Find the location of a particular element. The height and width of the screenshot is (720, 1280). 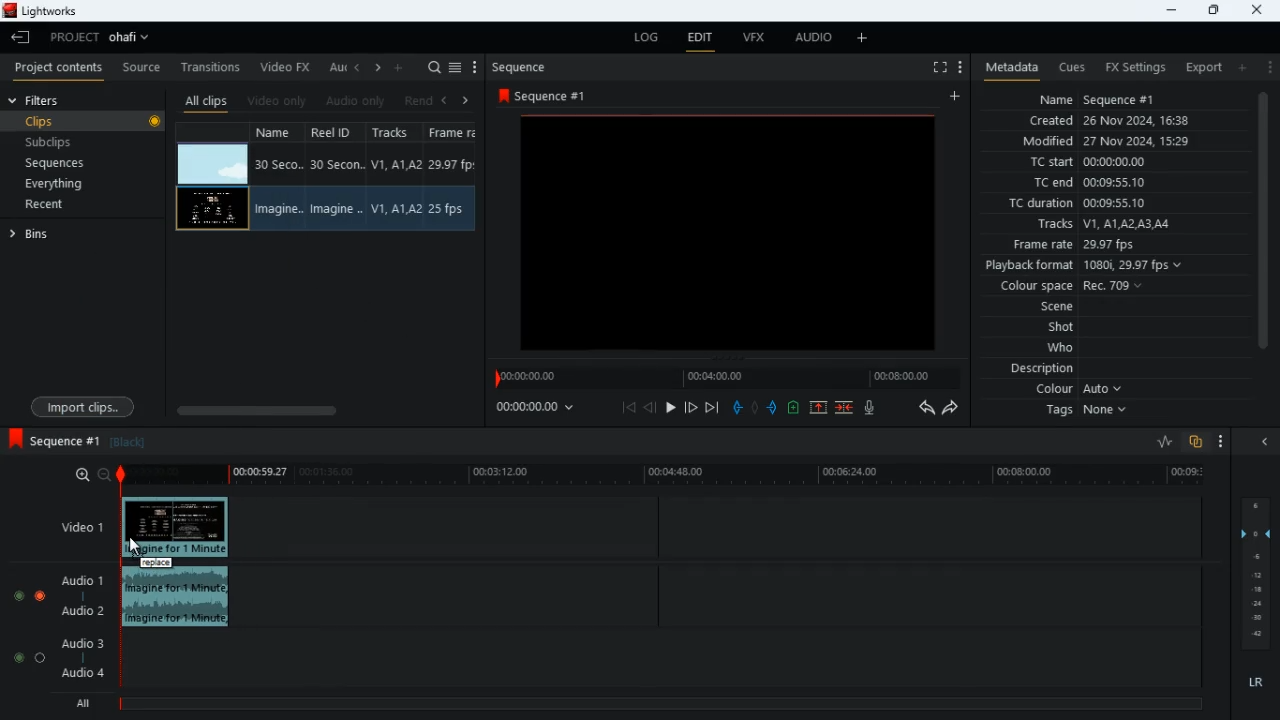

"Imagine" audio clip is located at coordinates (176, 599).